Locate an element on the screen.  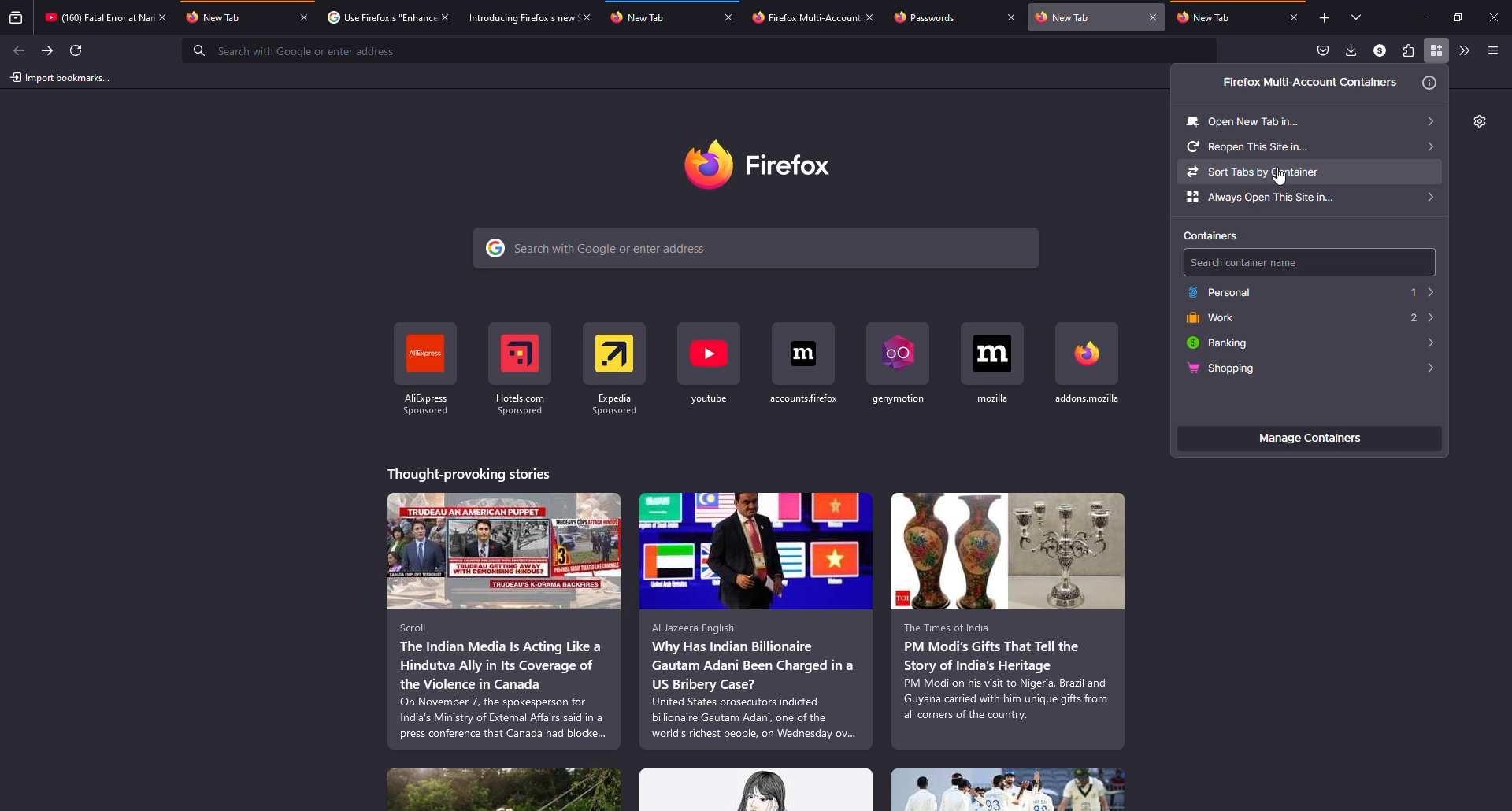
close is located at coordinates (731, 18).